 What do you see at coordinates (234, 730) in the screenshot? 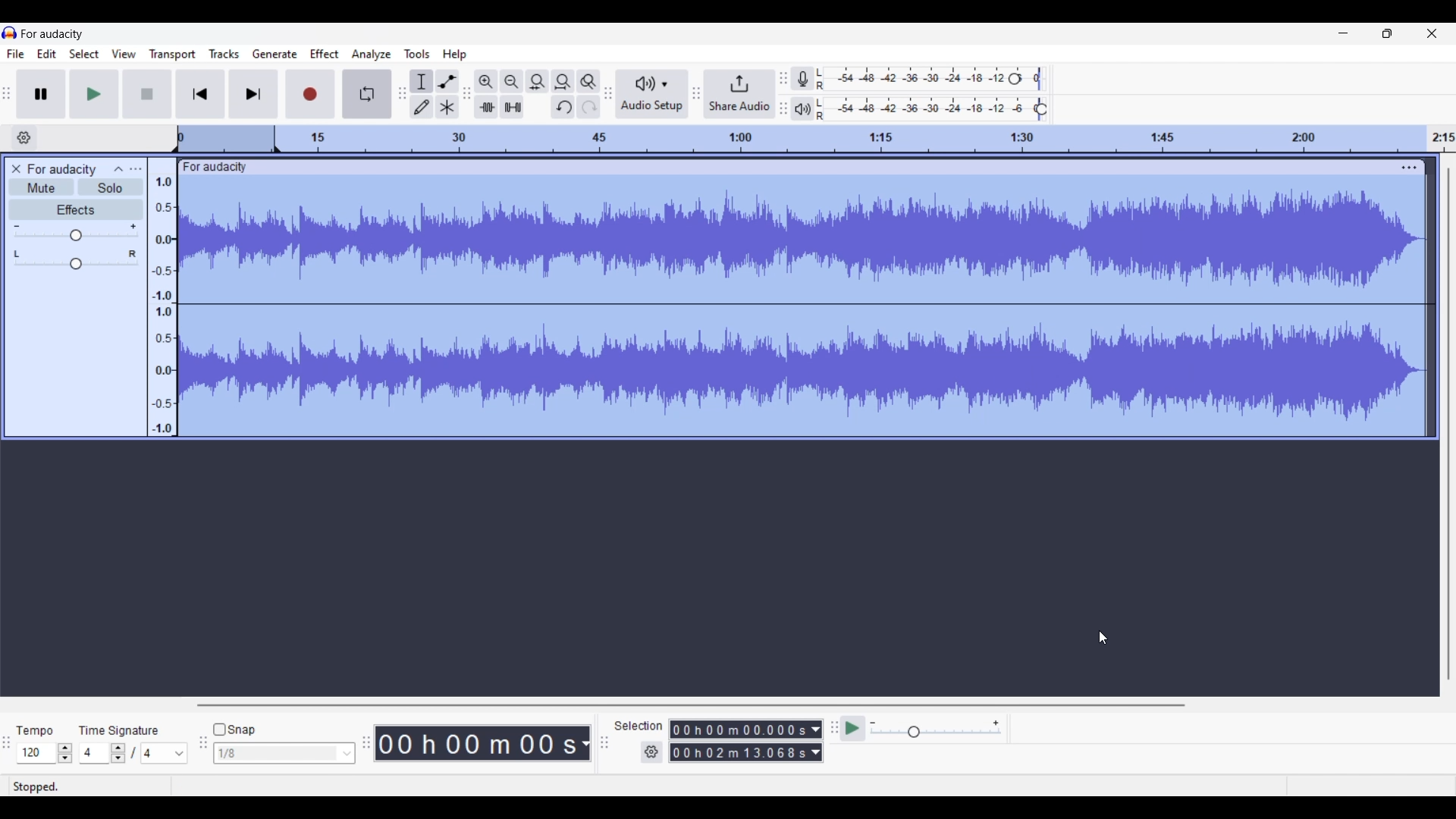
I see `Snap toggle` at bounding box center [234, 730].